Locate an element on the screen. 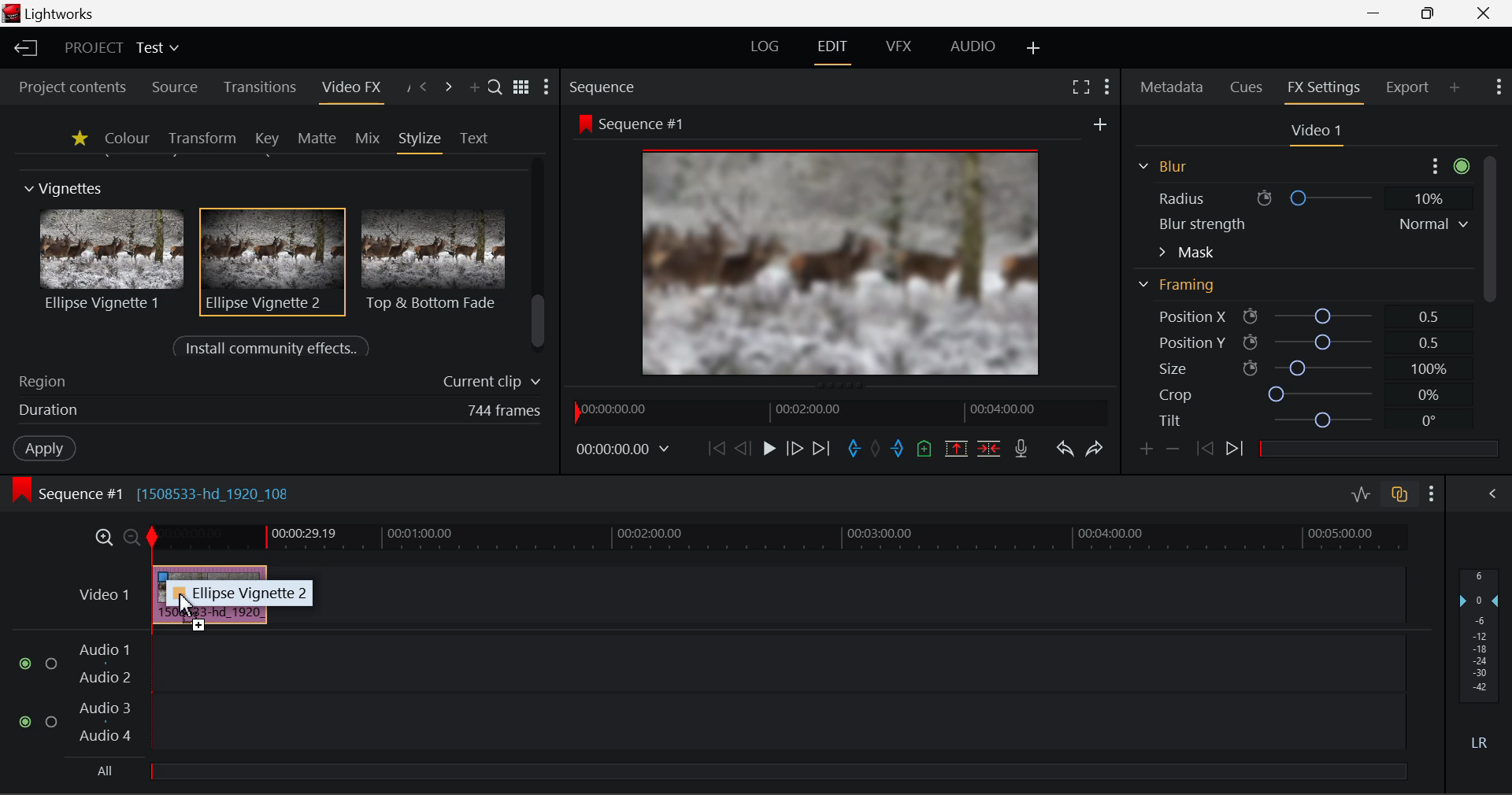 The image size is (1512, 795). Previous Panel is located at coordinates (424, 87).